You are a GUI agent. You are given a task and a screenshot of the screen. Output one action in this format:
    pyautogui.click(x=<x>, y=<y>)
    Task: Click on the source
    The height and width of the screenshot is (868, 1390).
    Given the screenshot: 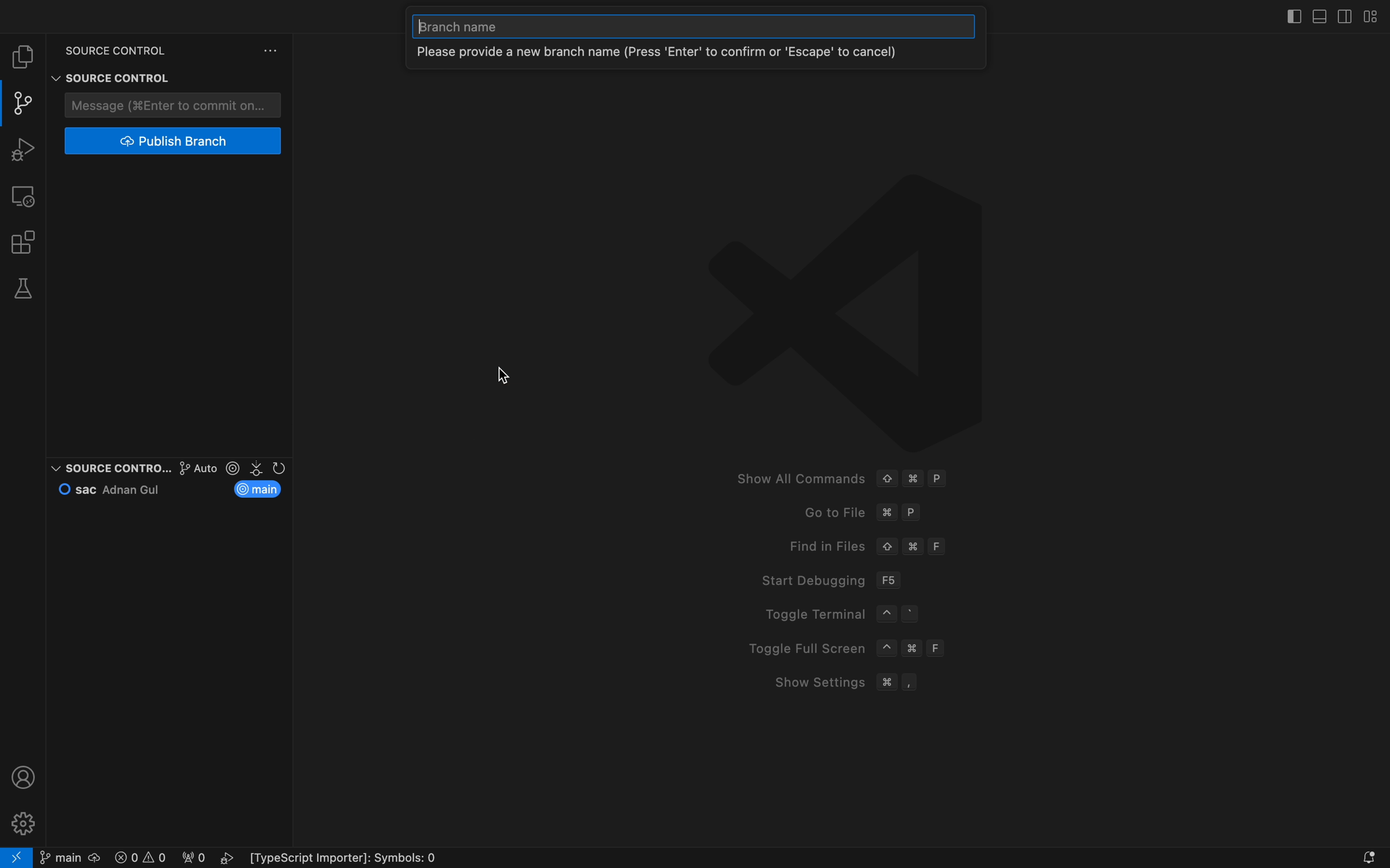 What is the action you would take?
    pyautogui.click(x=106, y=77)
    